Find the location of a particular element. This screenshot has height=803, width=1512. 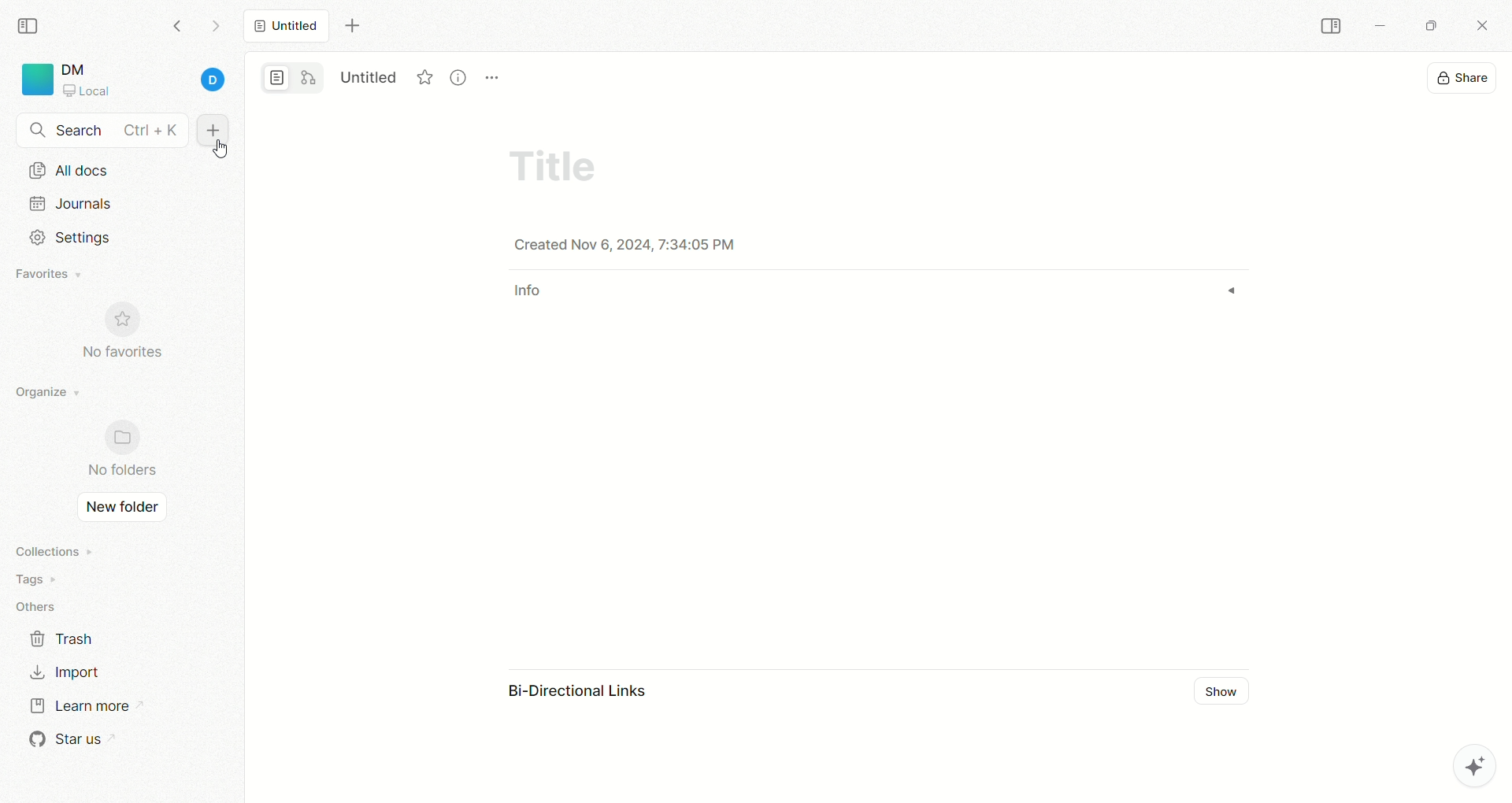

favorites is located at coordinates (426, 75).